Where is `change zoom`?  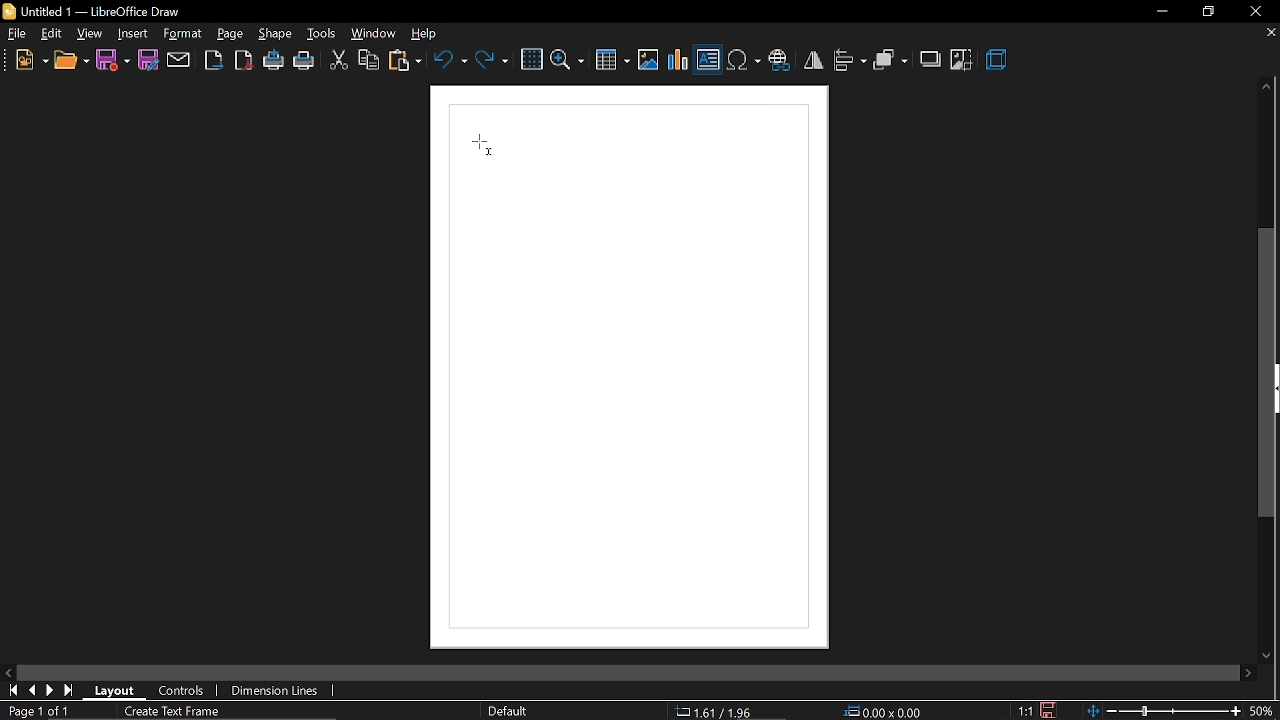 change zoom is located at coordinates (1166, 711).